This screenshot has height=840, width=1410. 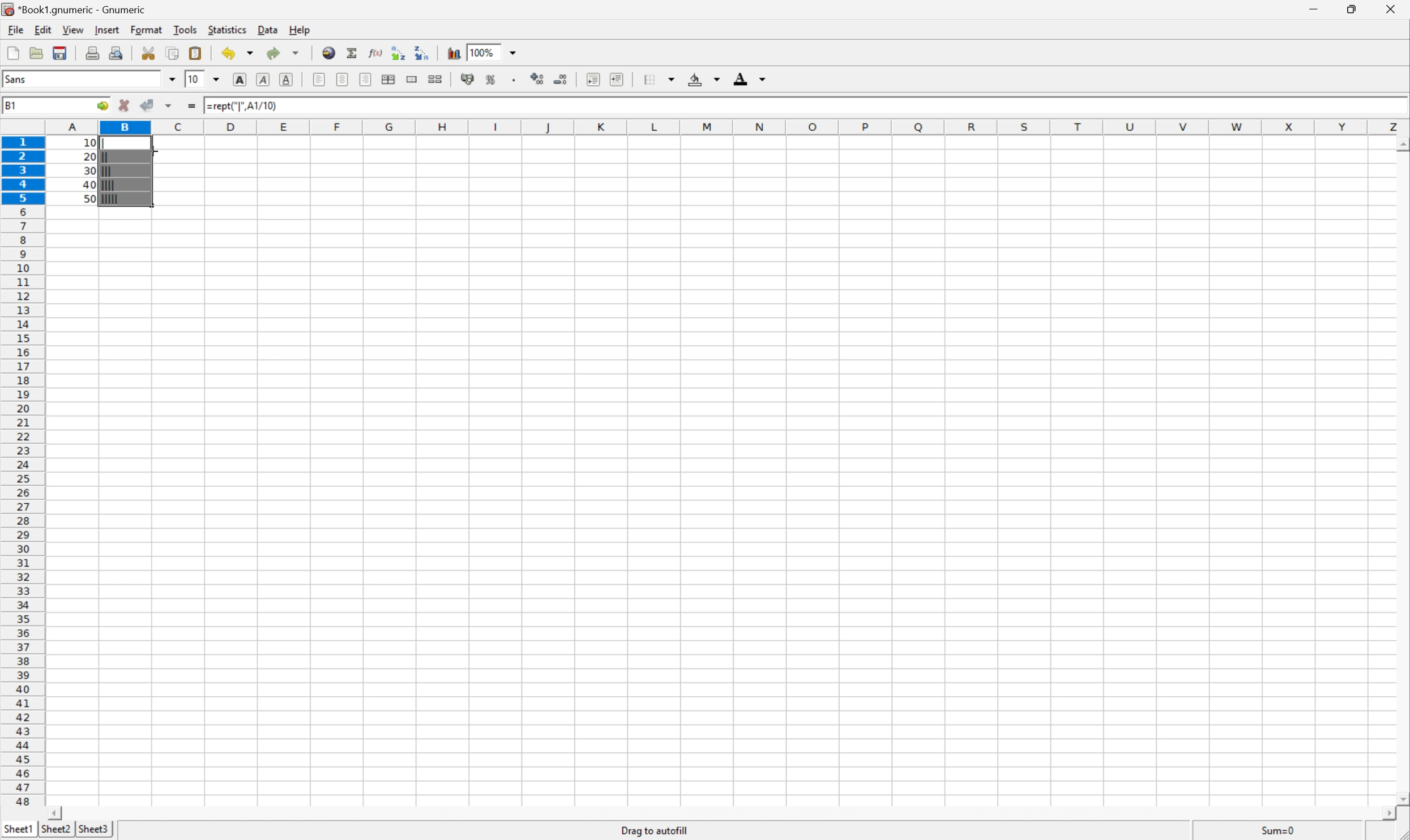 What do you see at coordinates (42, 29) in the screenshot?
I see `Edit` at bounding box center [42, 29].